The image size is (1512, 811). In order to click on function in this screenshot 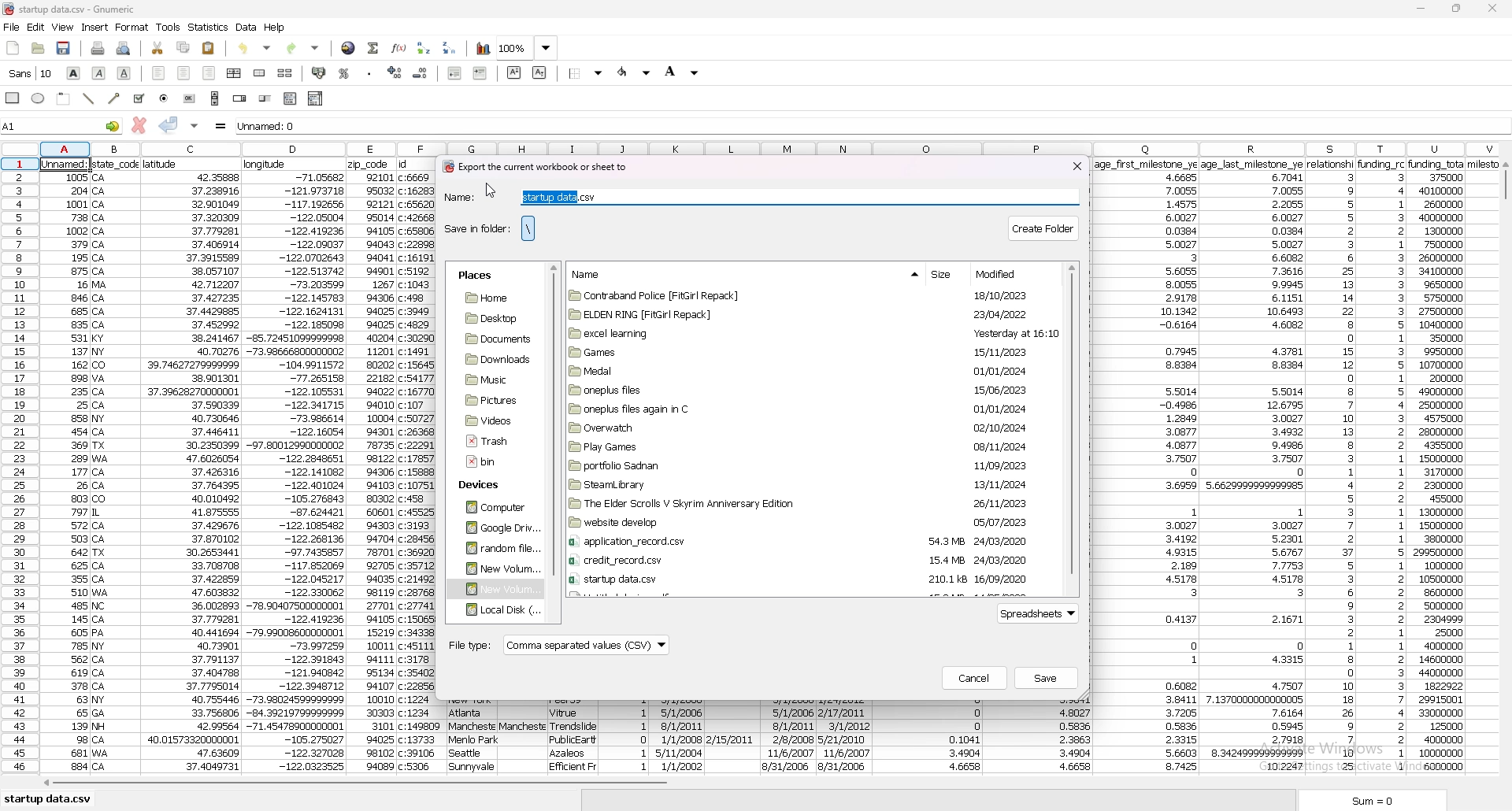, I will do `click(398, 48)`.